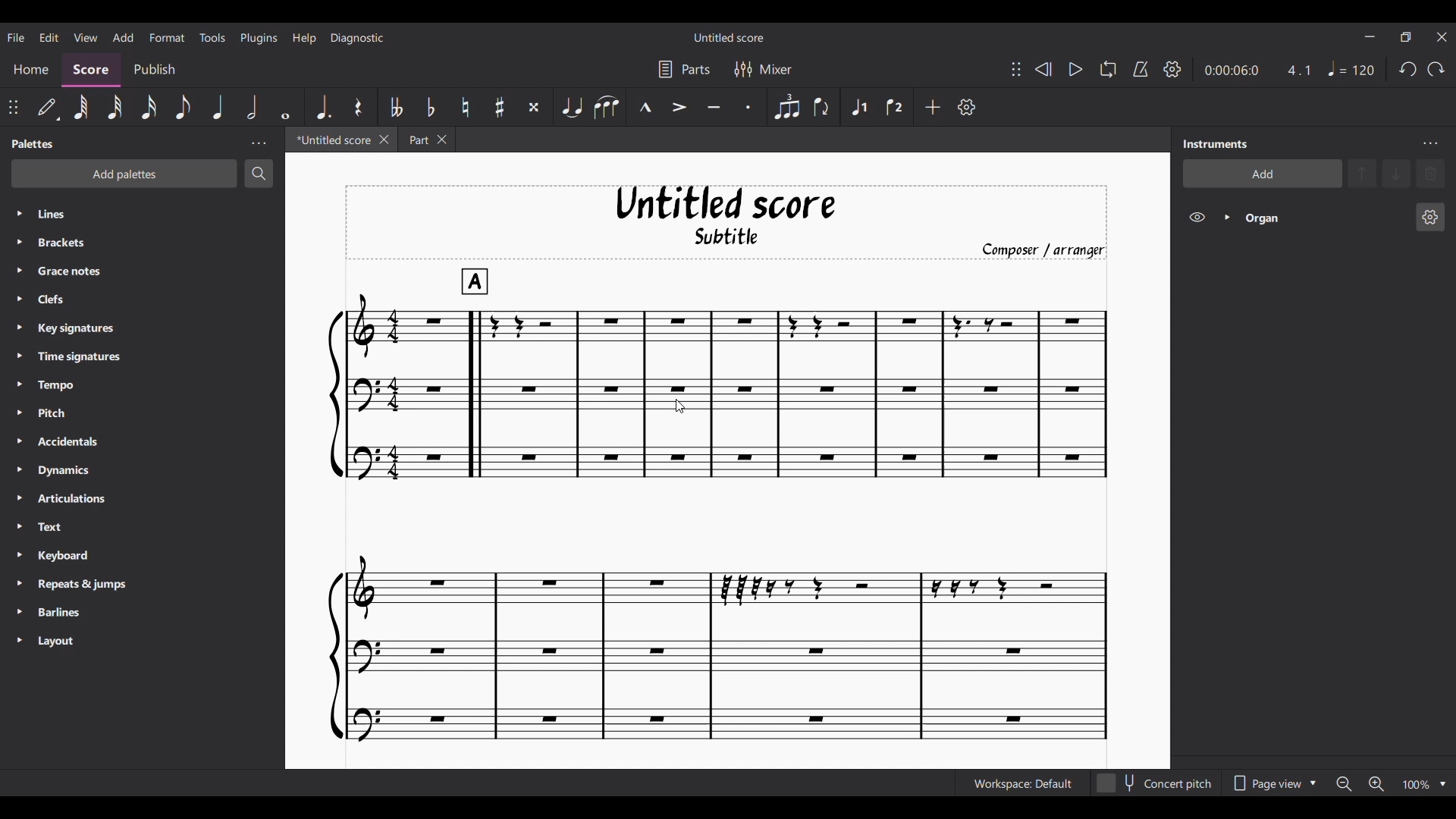 The height and width of the screenshot is (819, 1456). What do you see at coordinates (1442, 37) in the screenshot?
I see `Close interface` at bounding box center [1442, 37].